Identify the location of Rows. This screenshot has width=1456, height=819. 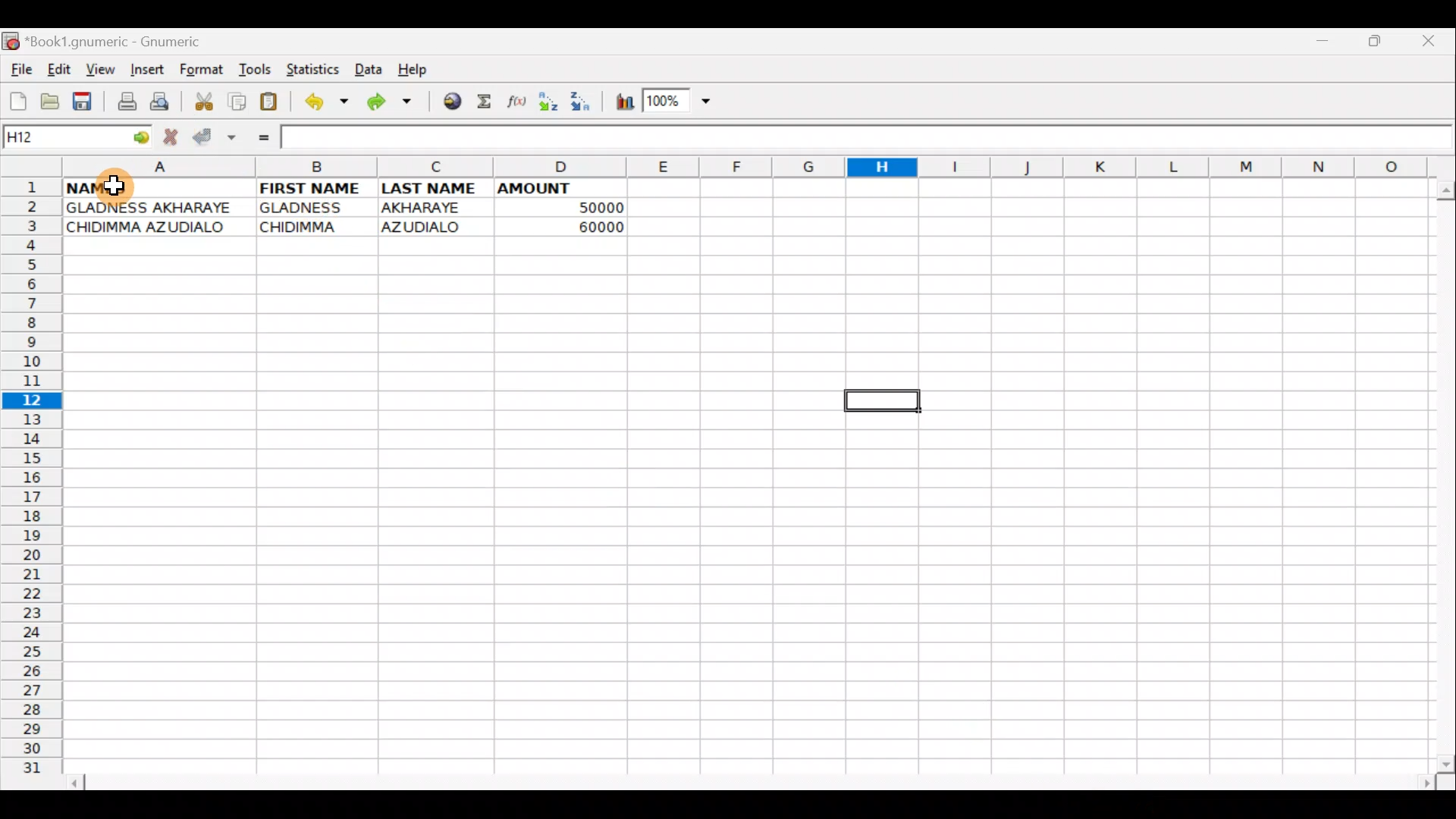
(29, 485).